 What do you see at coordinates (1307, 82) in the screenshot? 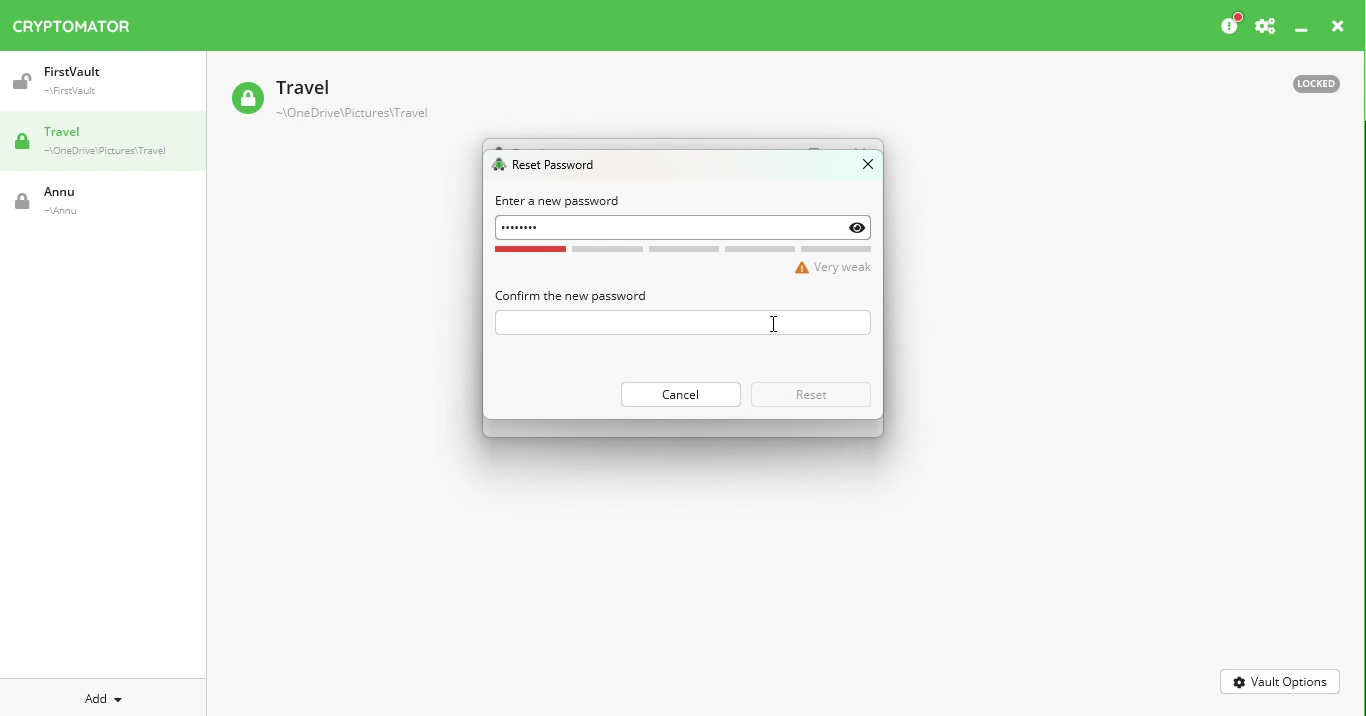
I see `Locked` at bounding box center [1307, 82].